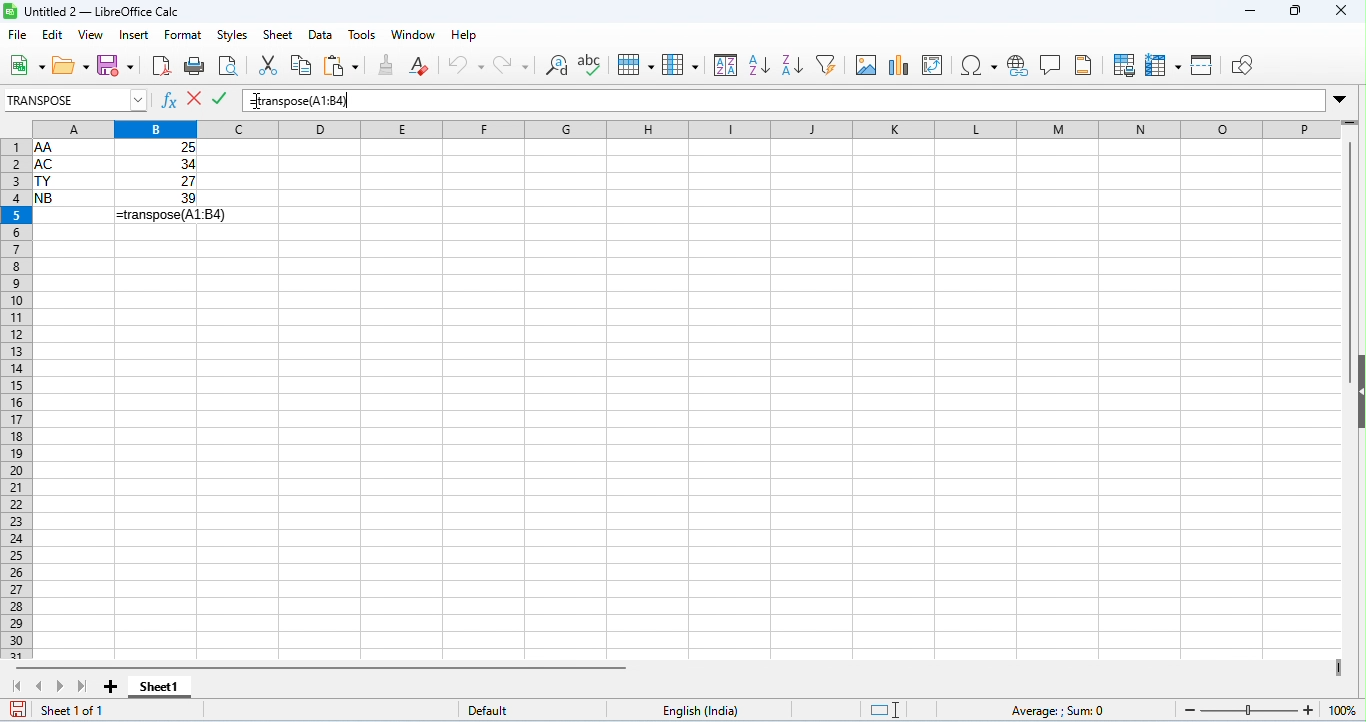 This screenshot has height=722, width=1366. What do you see at coordinates (761, 65) in the screenshot?
I see `sort ascending` at bounding box center [761, 65].